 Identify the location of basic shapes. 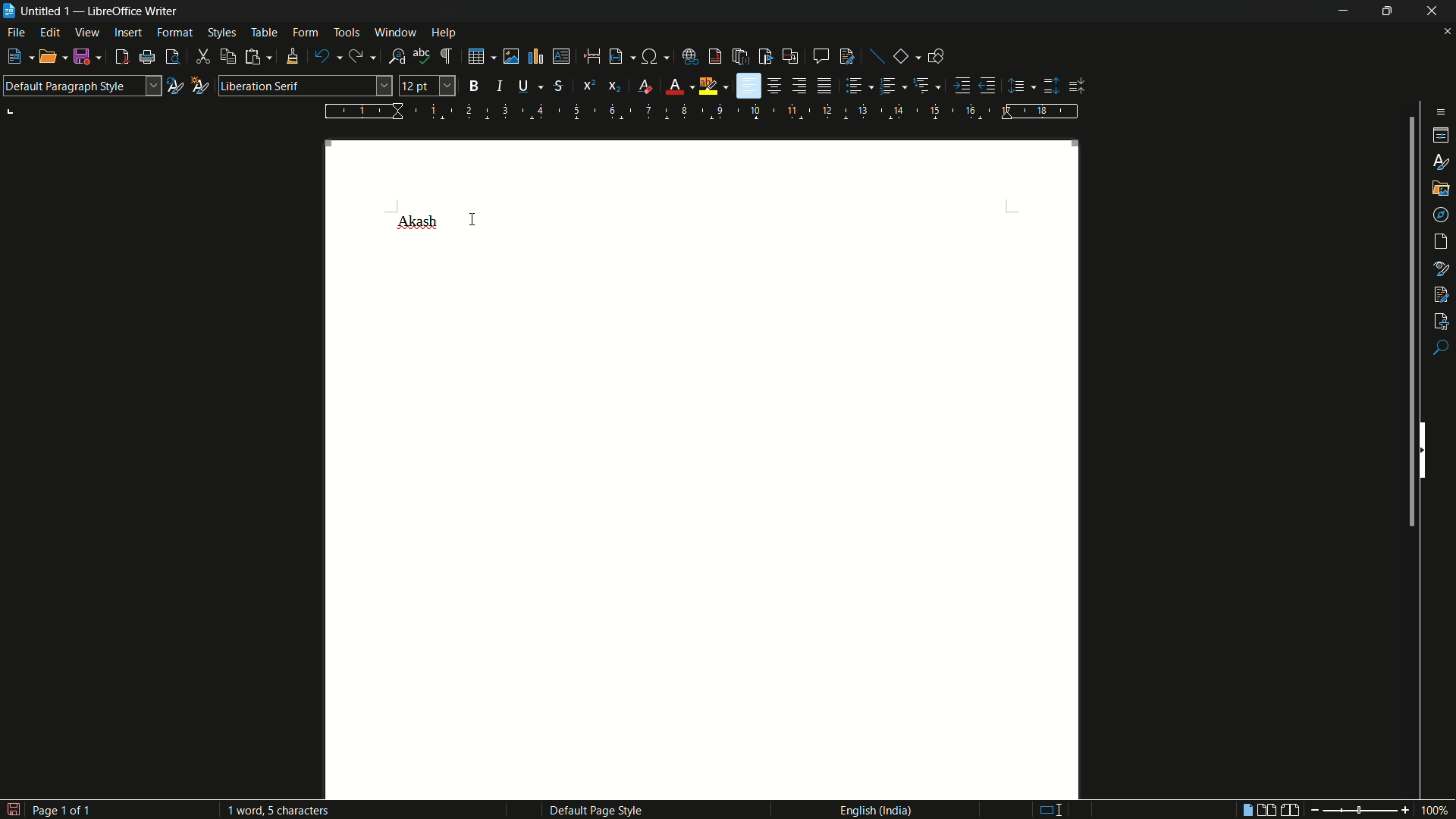
(902, 57).